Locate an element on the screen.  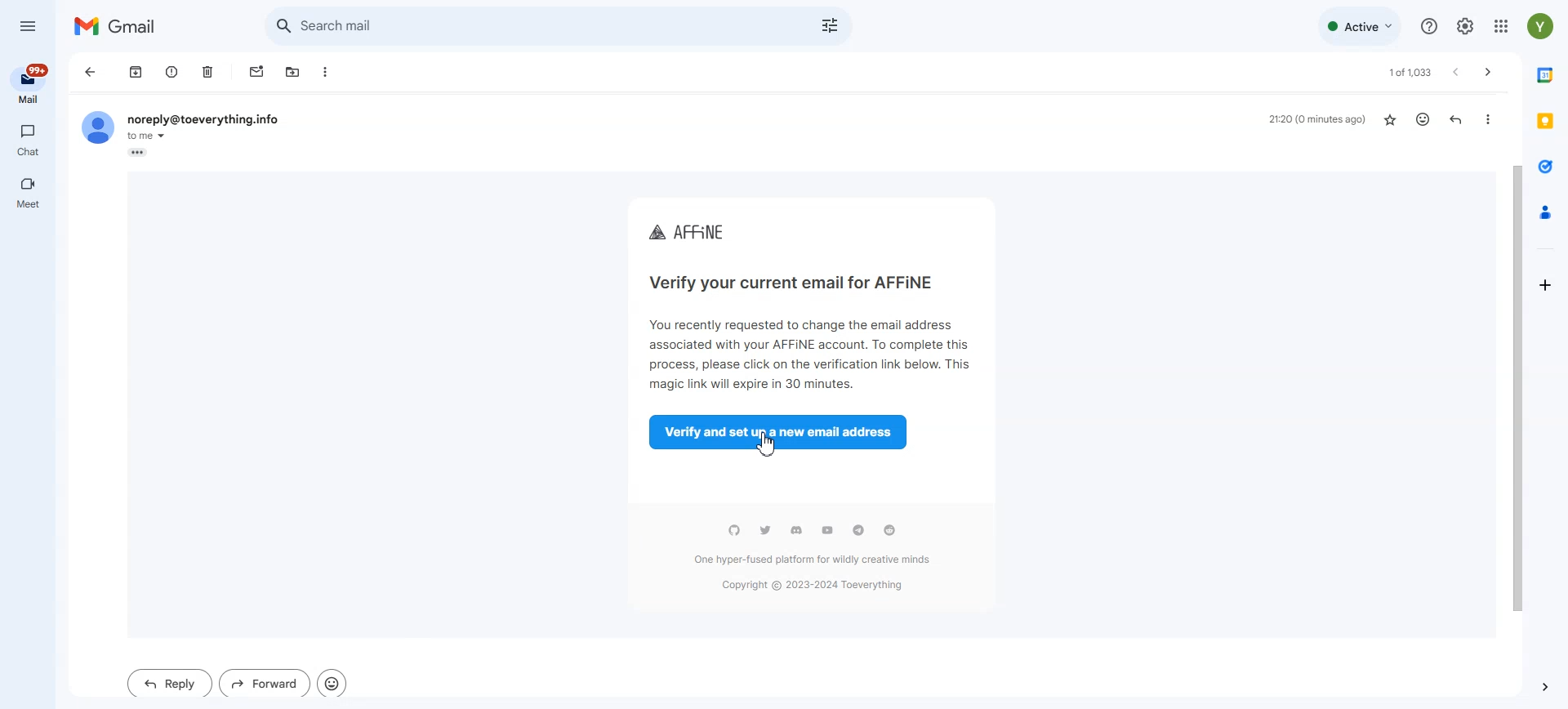
Reddit is located at coordinates (733, 530).